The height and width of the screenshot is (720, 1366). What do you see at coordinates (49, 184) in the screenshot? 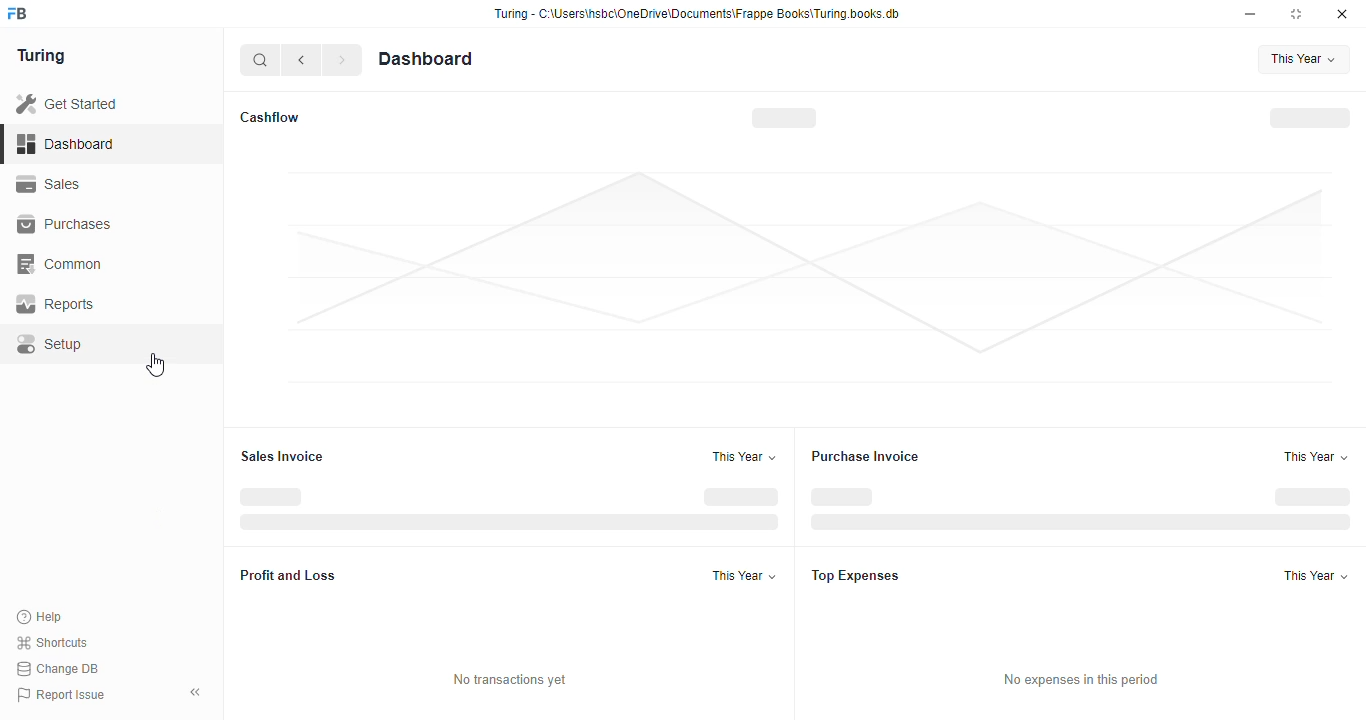
I see `sales` at bounding box center [49, 184].